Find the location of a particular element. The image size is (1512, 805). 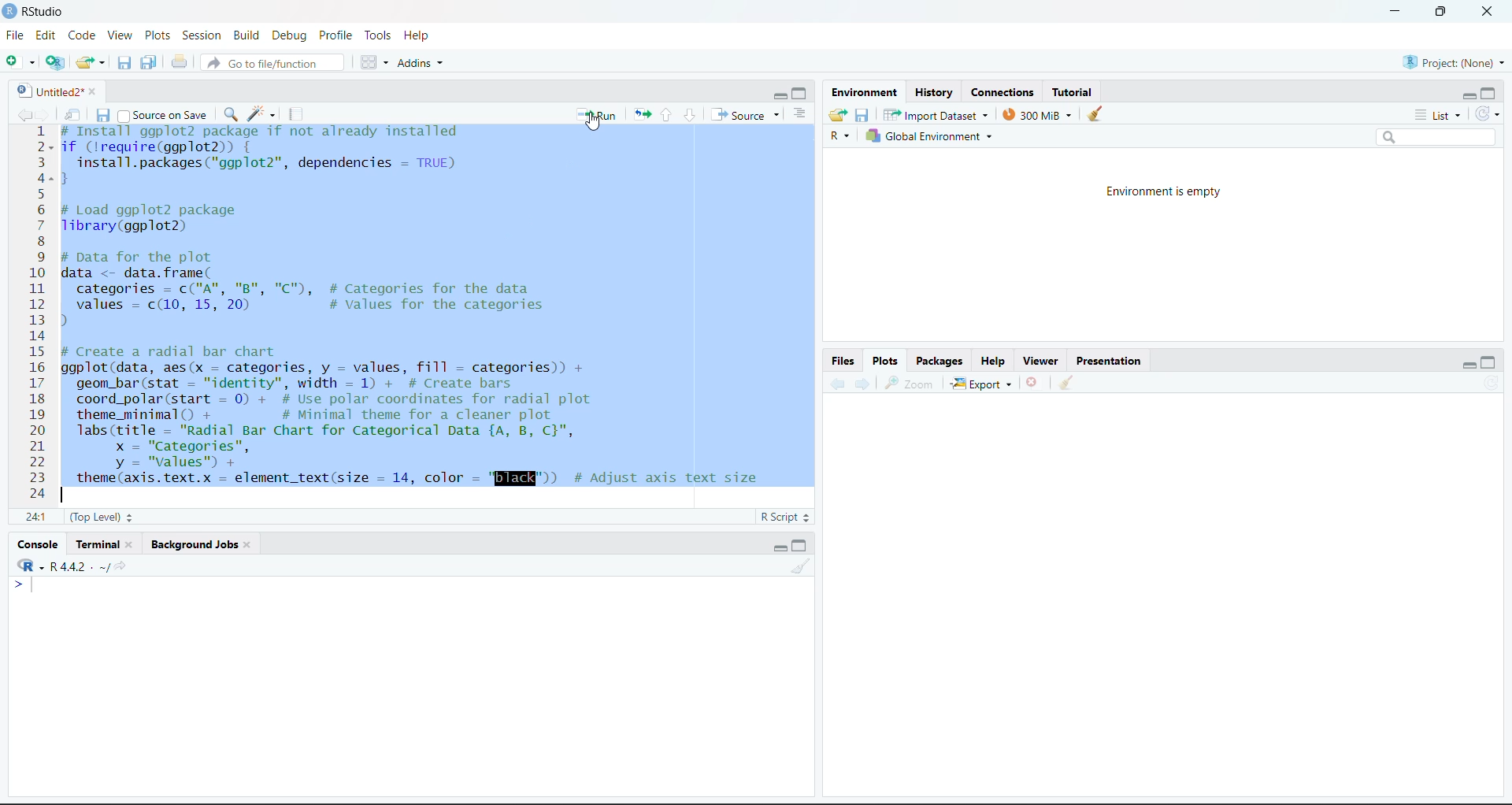

Tools is located at coordinates (377, 36).